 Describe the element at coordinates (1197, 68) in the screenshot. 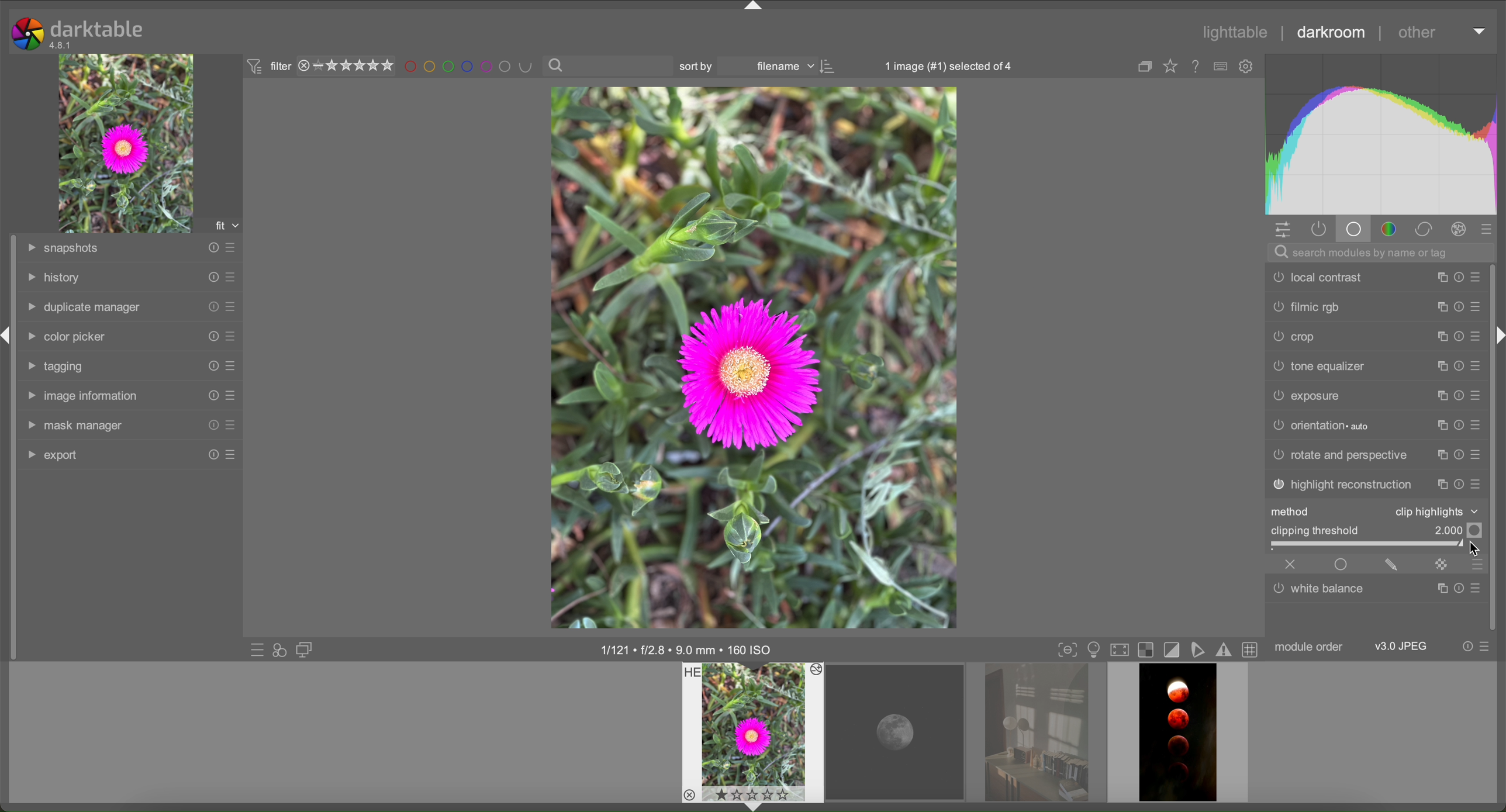

I see `online help` at that location.